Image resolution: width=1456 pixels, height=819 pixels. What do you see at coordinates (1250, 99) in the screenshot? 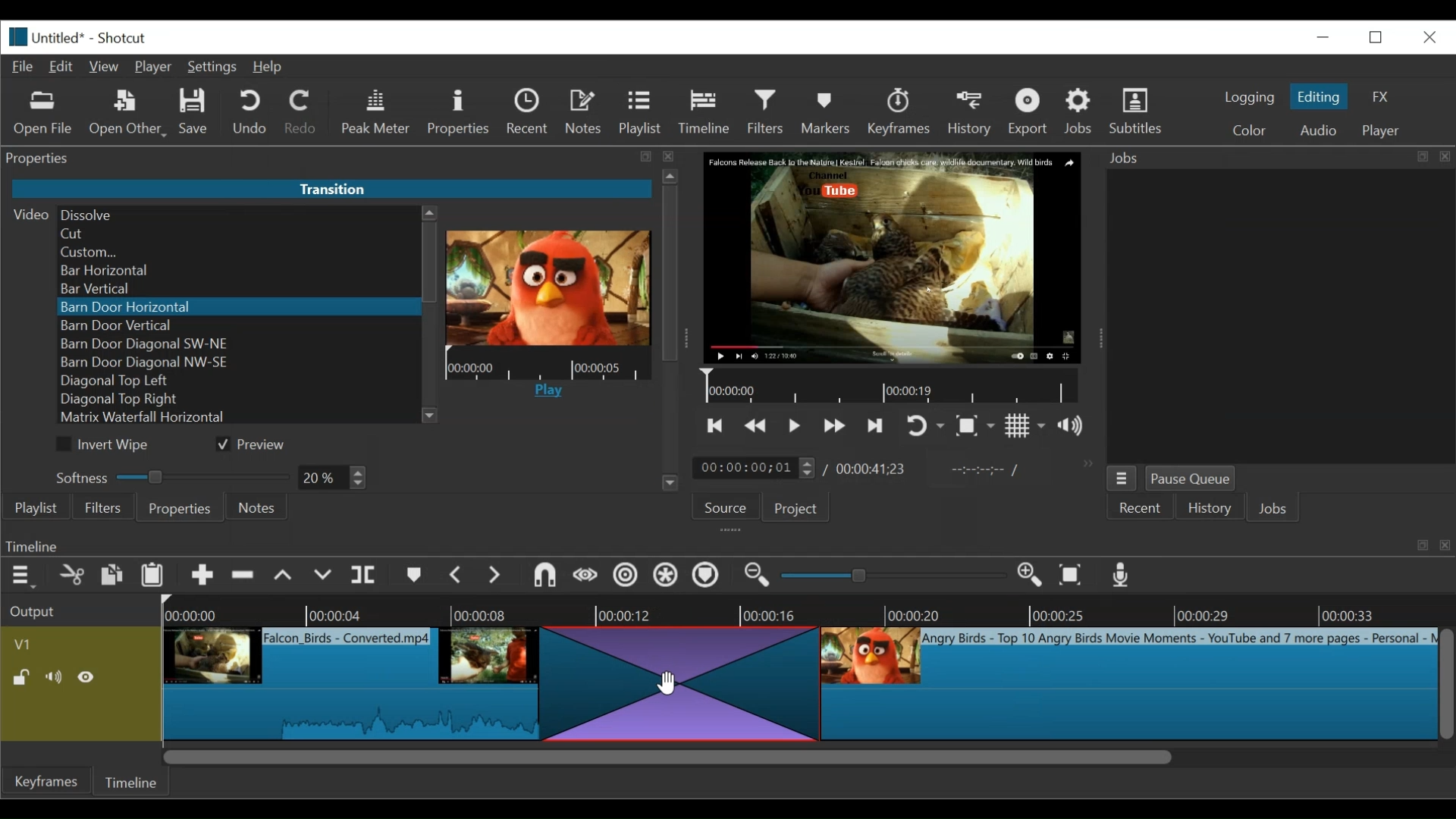
I see `logging` at bounding box center [1250, 99].